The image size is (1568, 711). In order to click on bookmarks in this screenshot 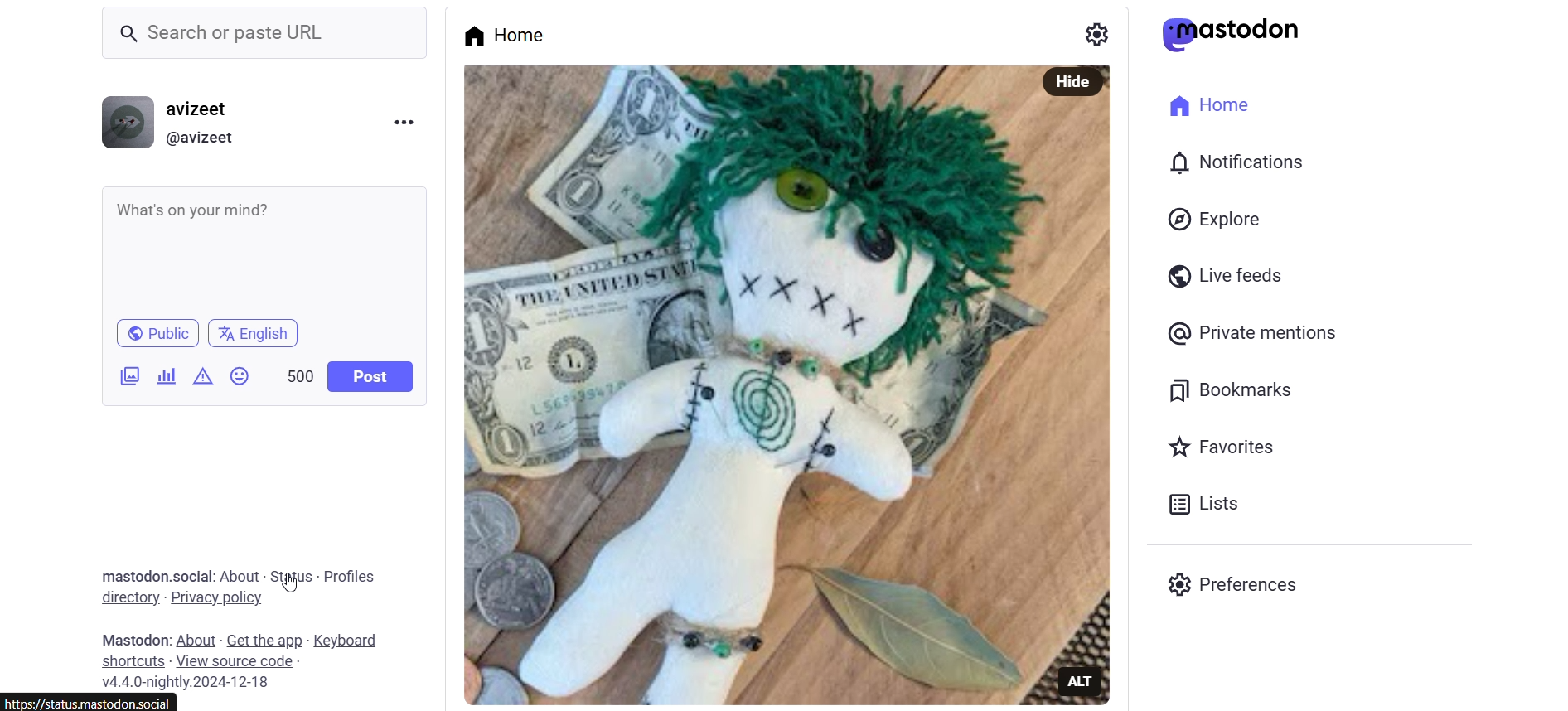, I will do `click(1234, 390)`.